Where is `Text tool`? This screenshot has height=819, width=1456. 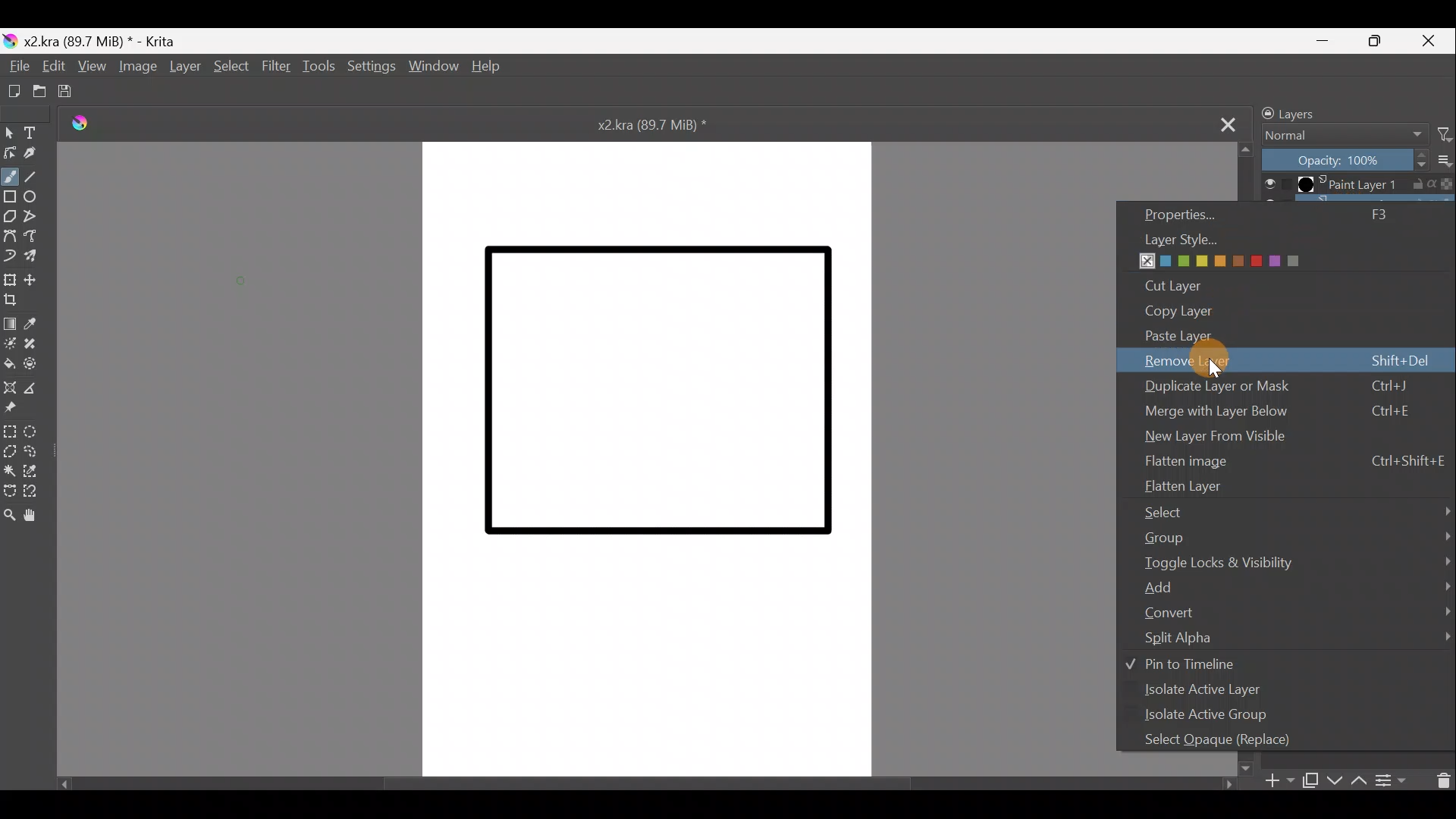 Text tool is located at coordinates (36, 133).